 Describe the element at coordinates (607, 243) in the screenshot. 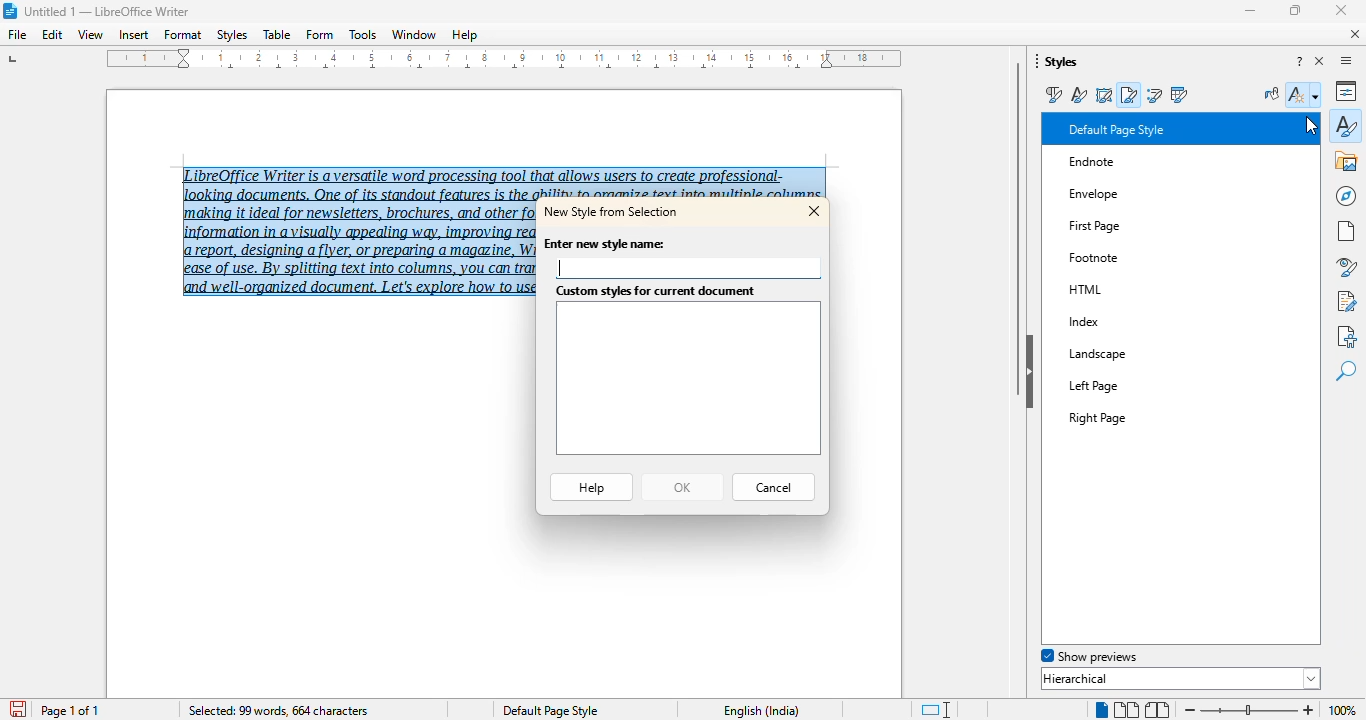

I see `enter new style name: ` at that location.